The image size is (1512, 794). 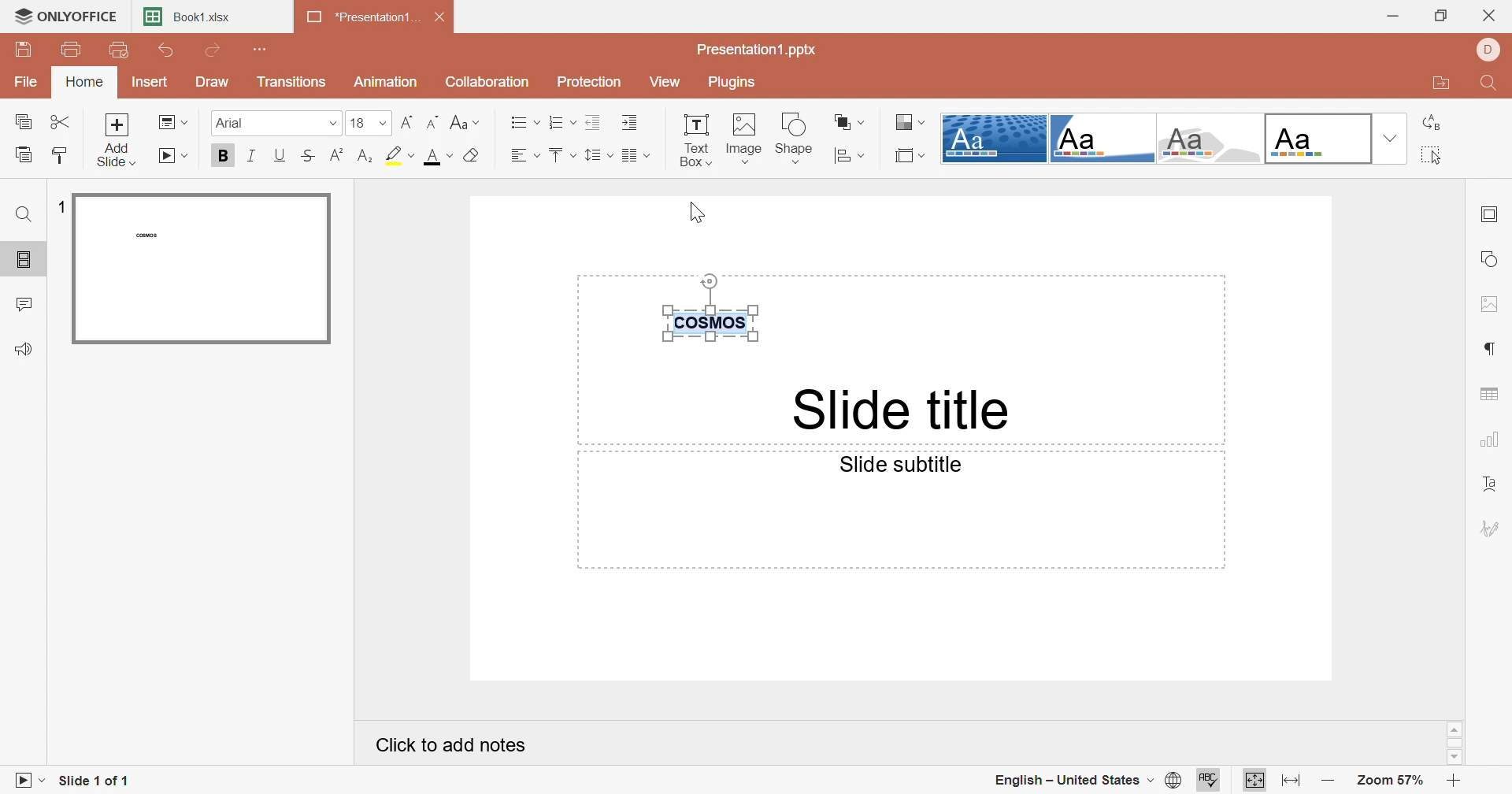 I want to click on Close, so click(x=438, y=17).